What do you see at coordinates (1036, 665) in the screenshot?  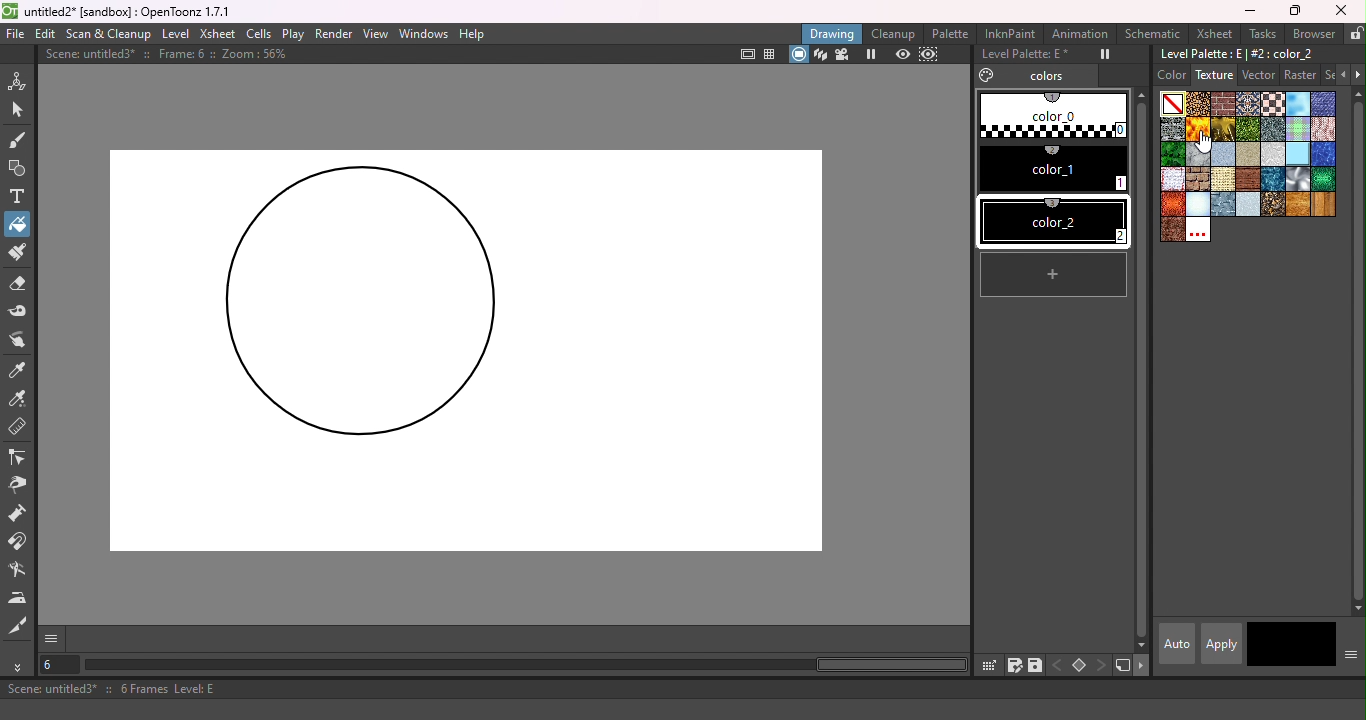 I see `save palette` at bounding box center [1036, 665].